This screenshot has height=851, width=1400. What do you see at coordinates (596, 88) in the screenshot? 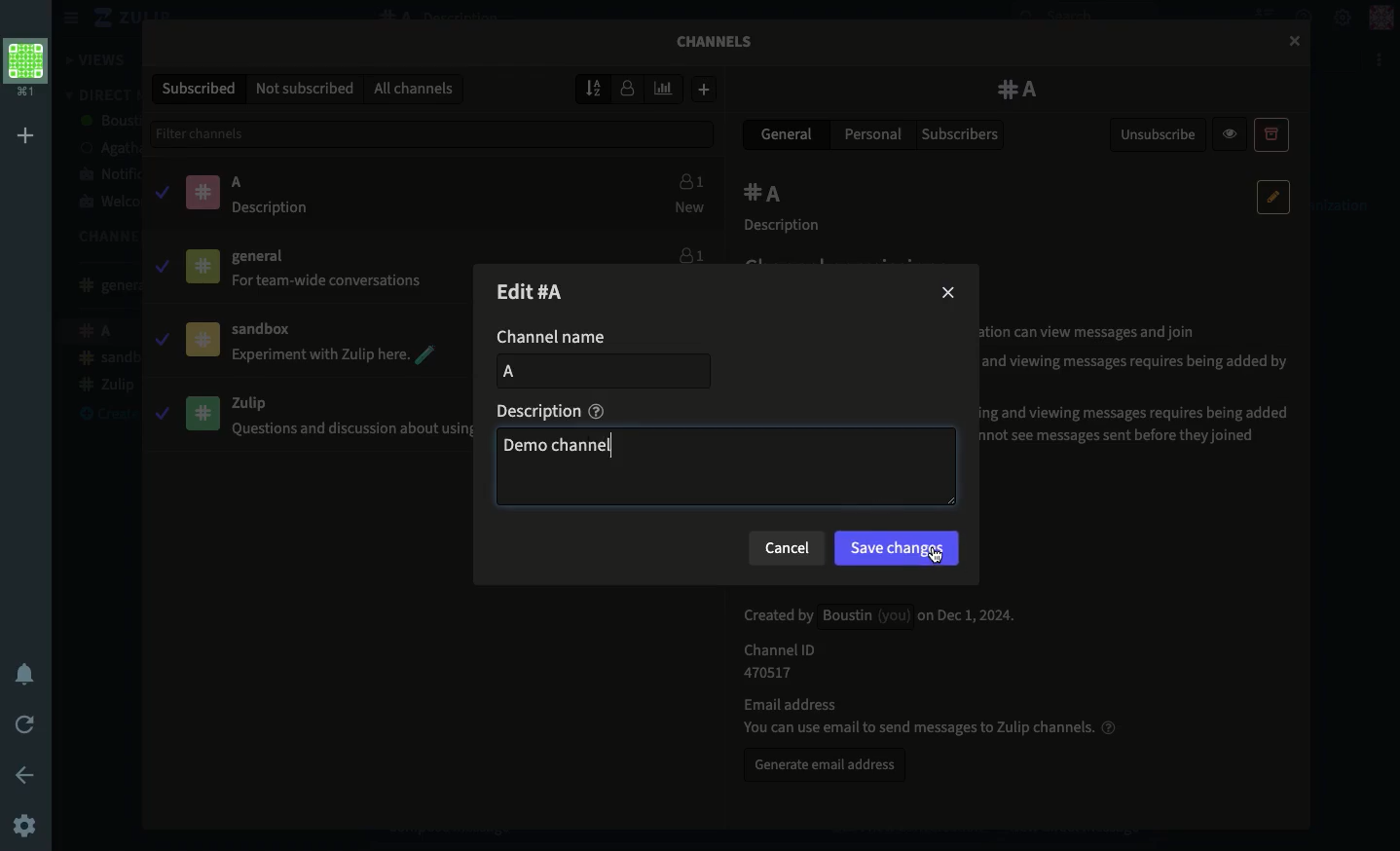
I see `Sort by name` at bounding box center [596, 88].